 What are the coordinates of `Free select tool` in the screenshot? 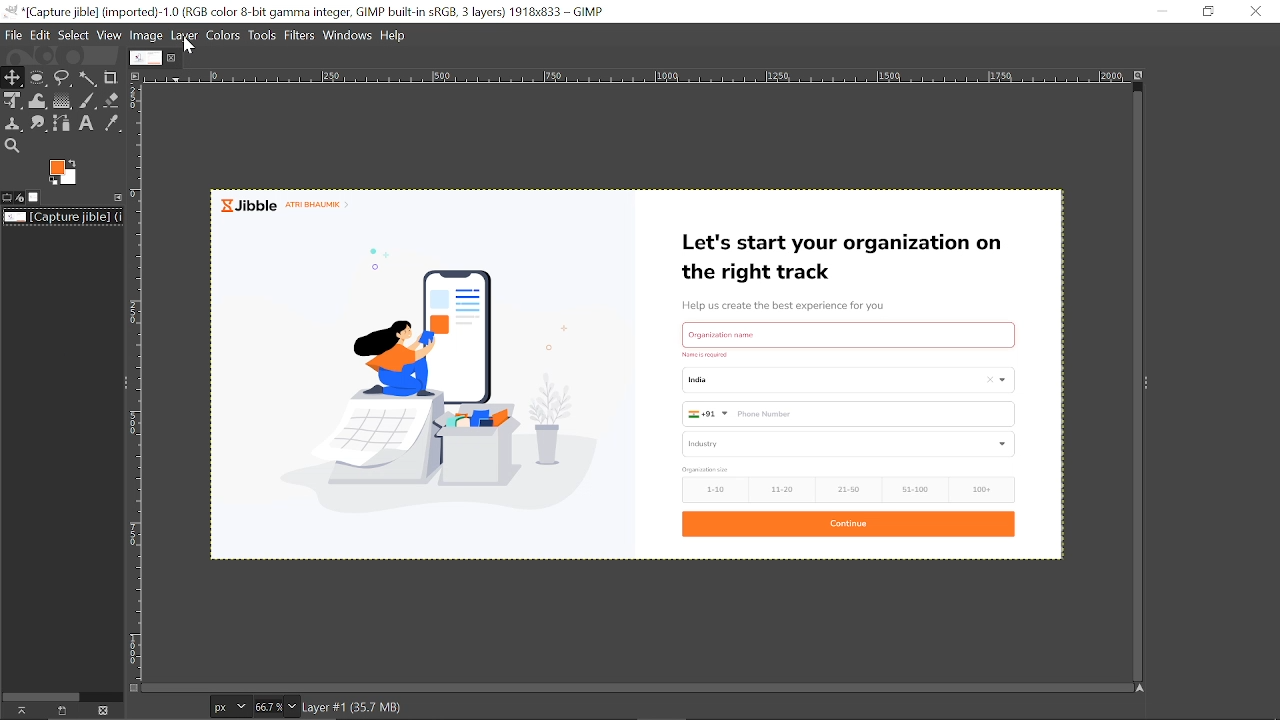 It's located at (63, 79).